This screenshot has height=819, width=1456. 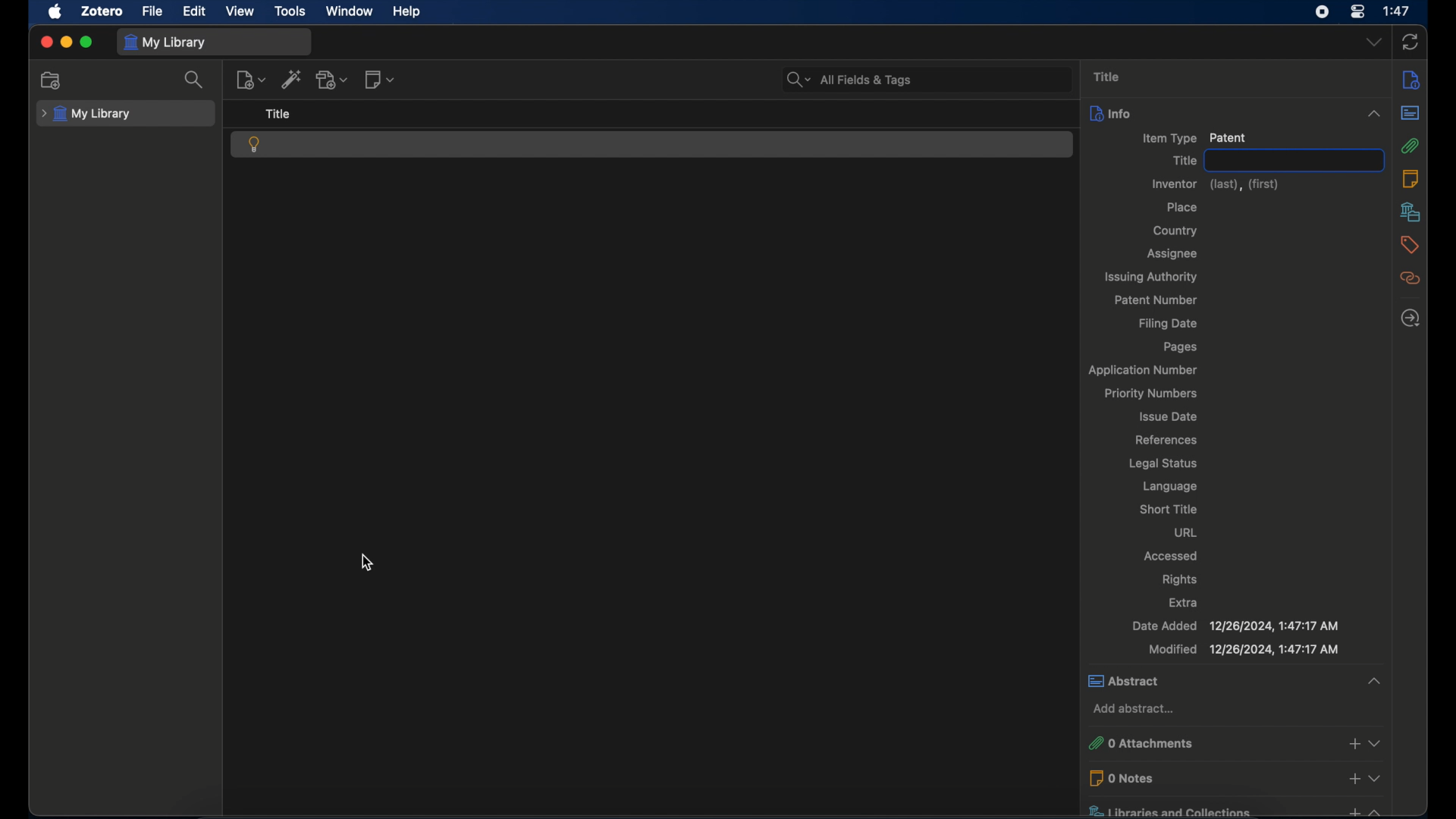 I want to click on sync, so click(x=1411, y=43).